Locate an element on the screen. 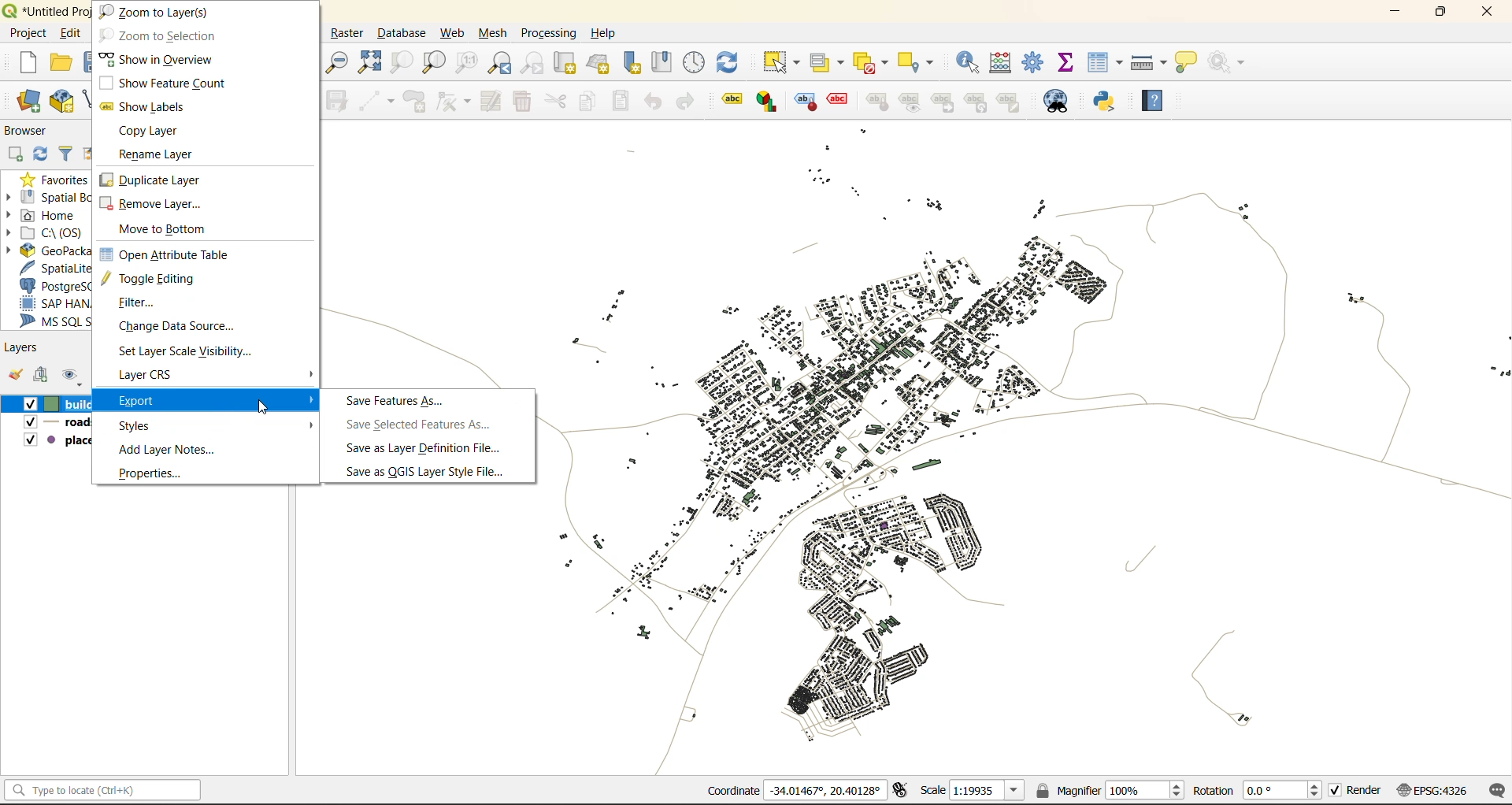  toggle editing is located at coordinates (152, 279).